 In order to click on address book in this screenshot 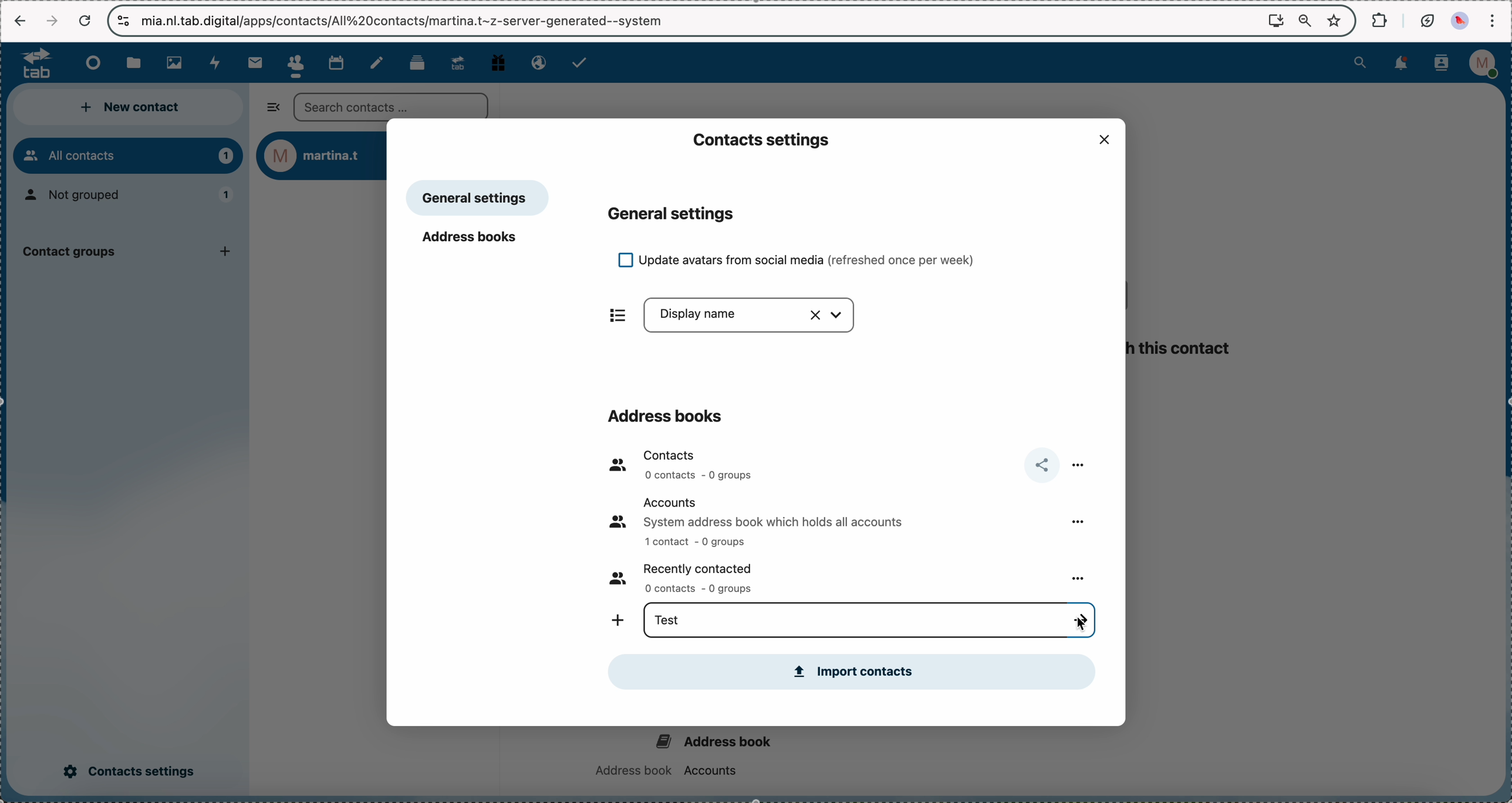, I will do `click(682, 751)`.